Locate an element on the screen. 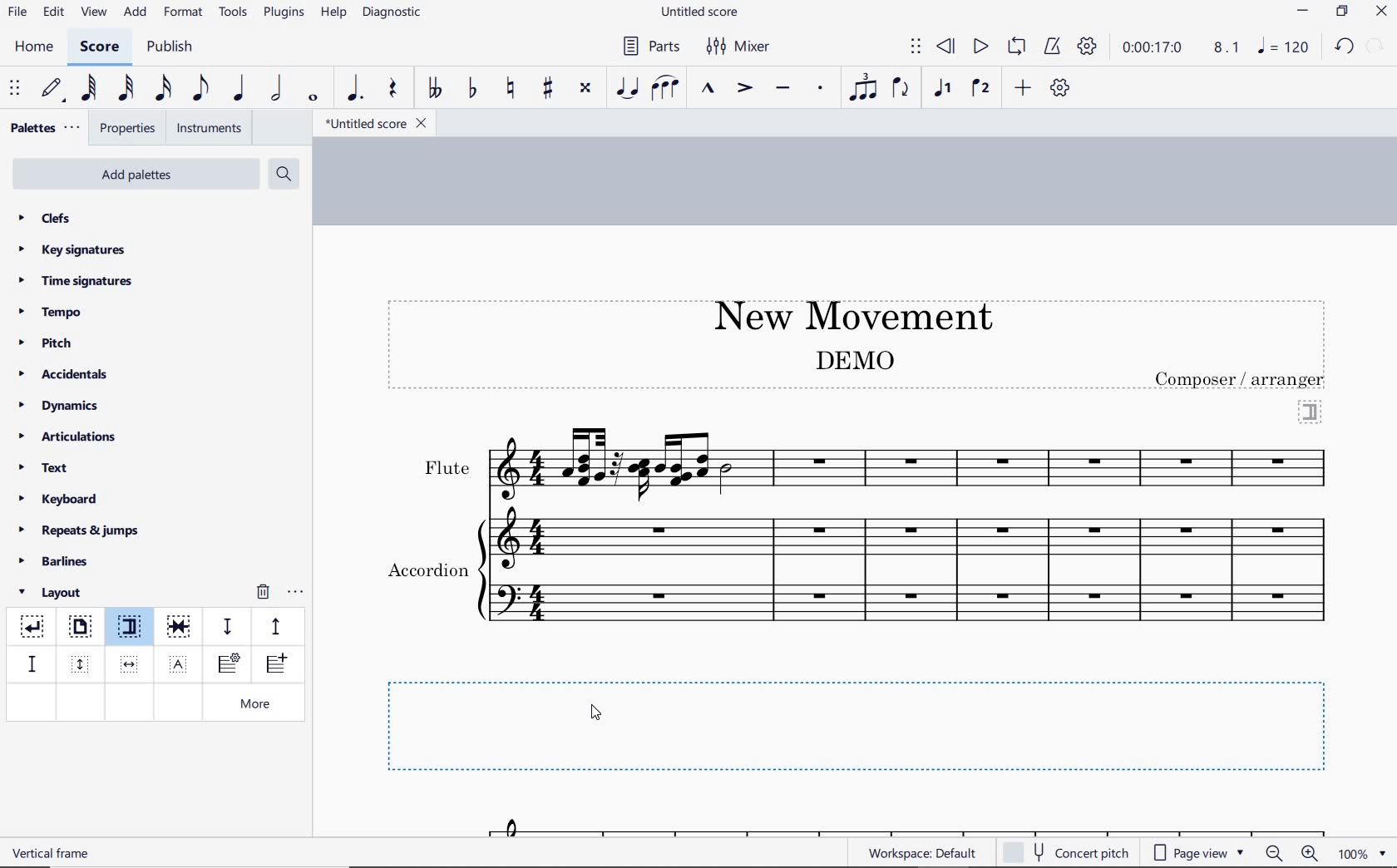  add  is located at coordinates (137, 12).